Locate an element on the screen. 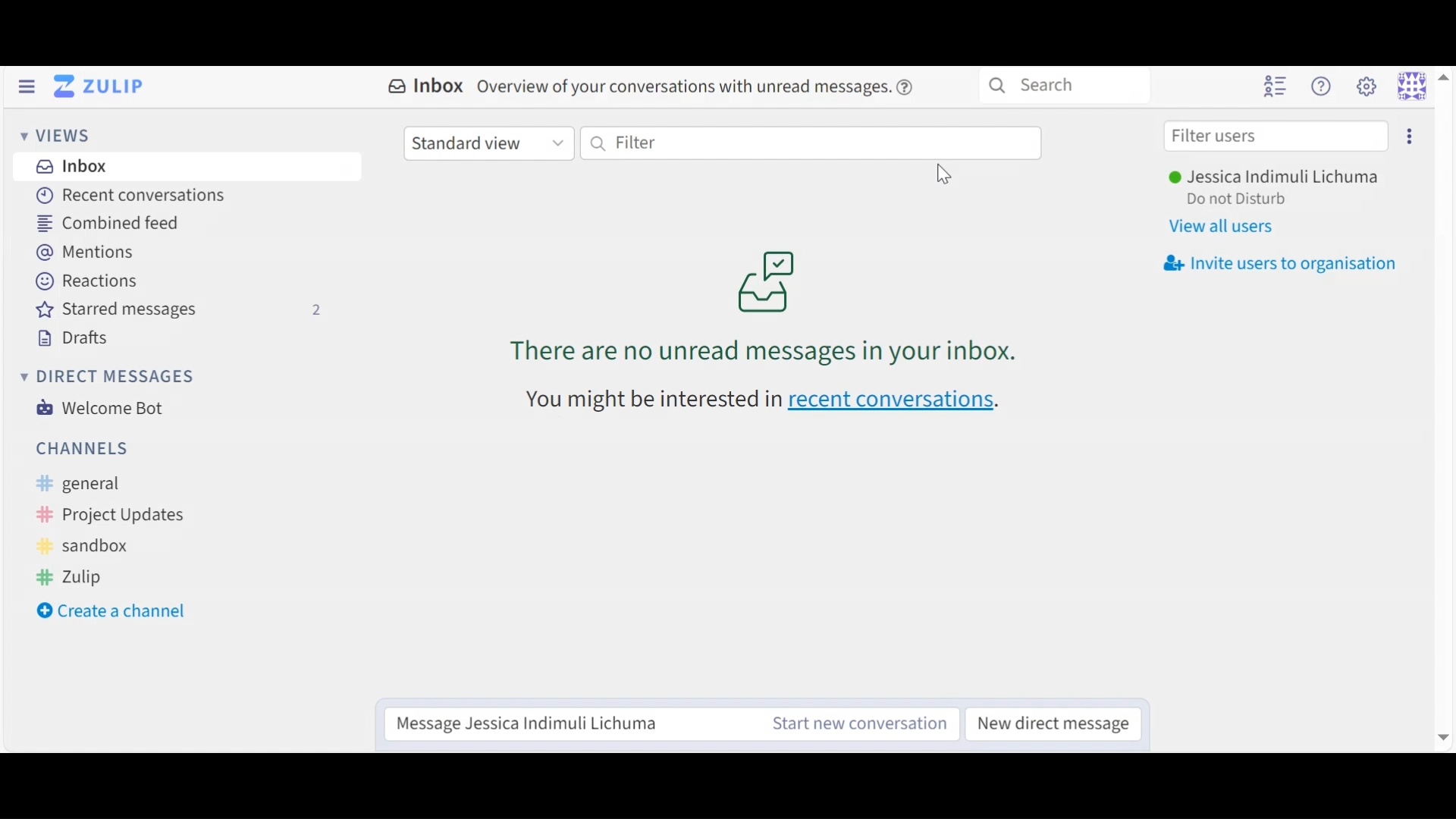 The width and height of the screenshot is (1456, 819). Invite users to your organisation is located at coordinates (1279, 262).